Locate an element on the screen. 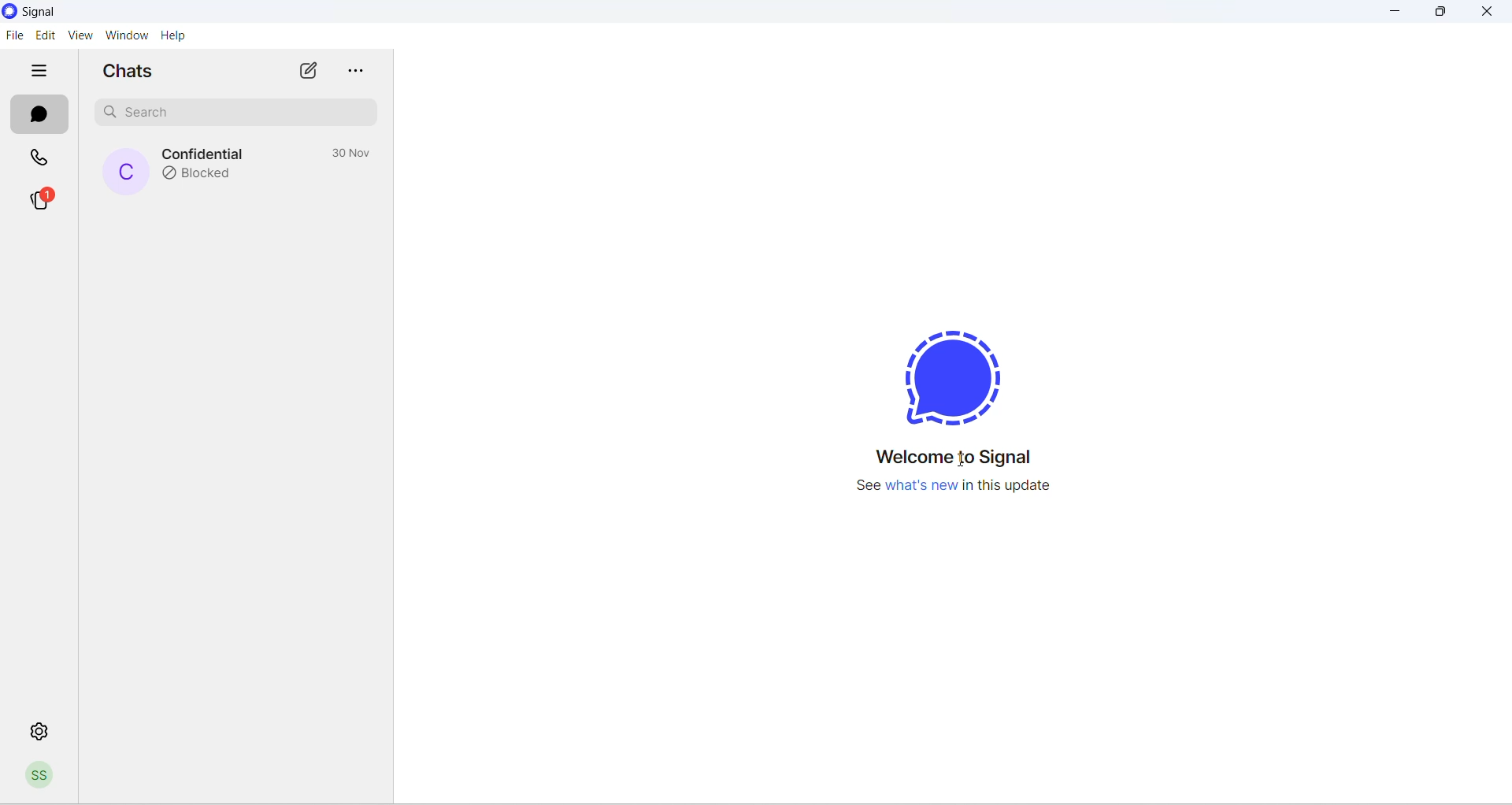 The height and width of the screenshot is (805, 1512). calls is located at coordinates (43, 155).